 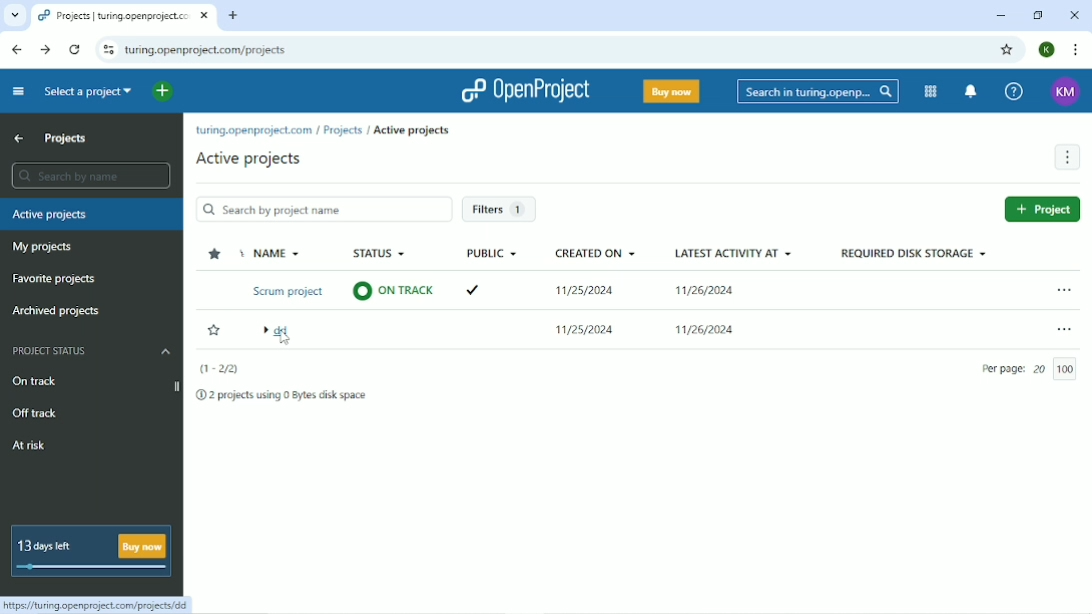 What do you see at coordinates (56, 280) in the screenshot?
I see `Favorite projects` at bounding box center [56, 280].